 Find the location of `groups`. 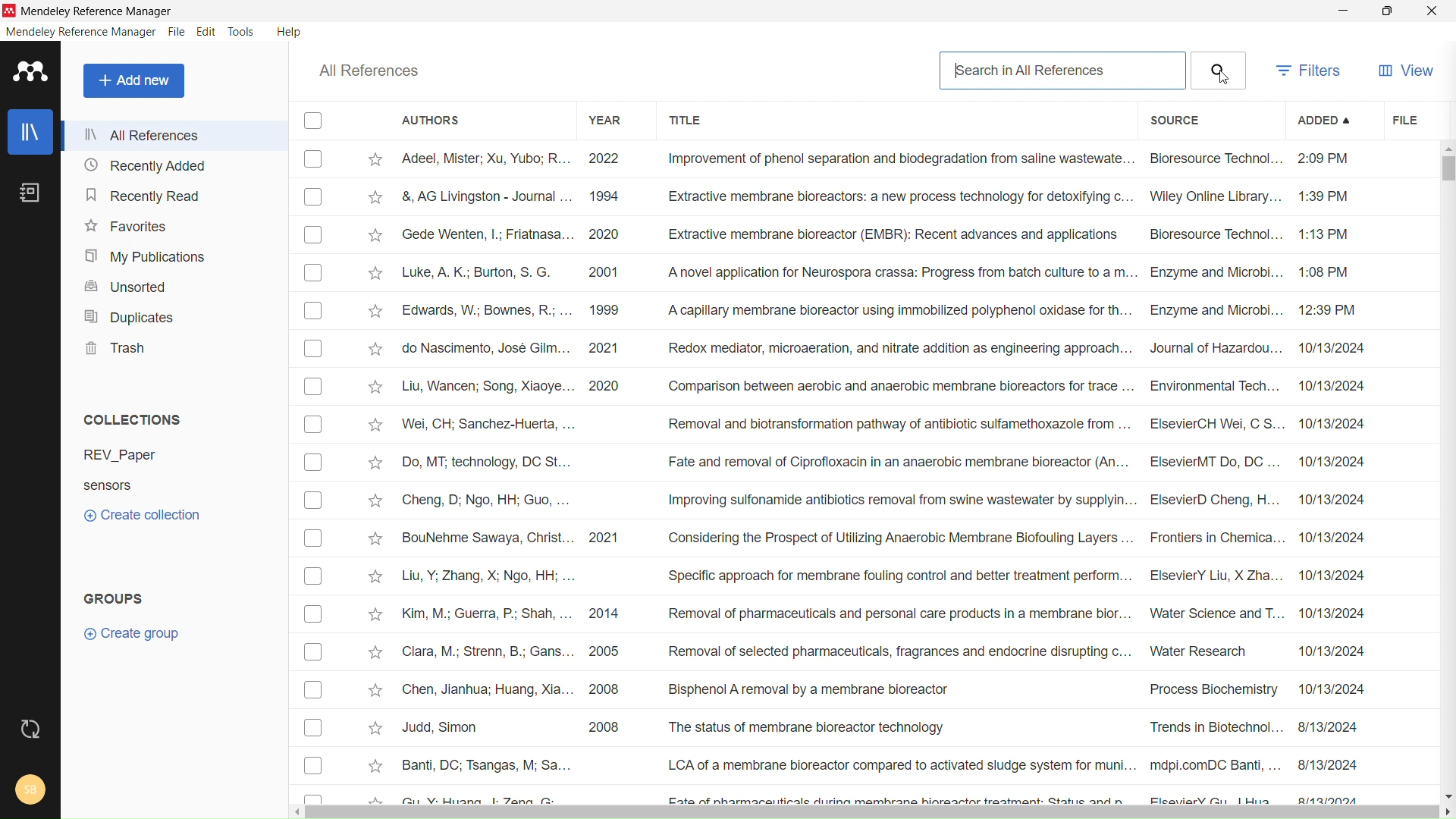

groups is located at coordinates (114, 598).